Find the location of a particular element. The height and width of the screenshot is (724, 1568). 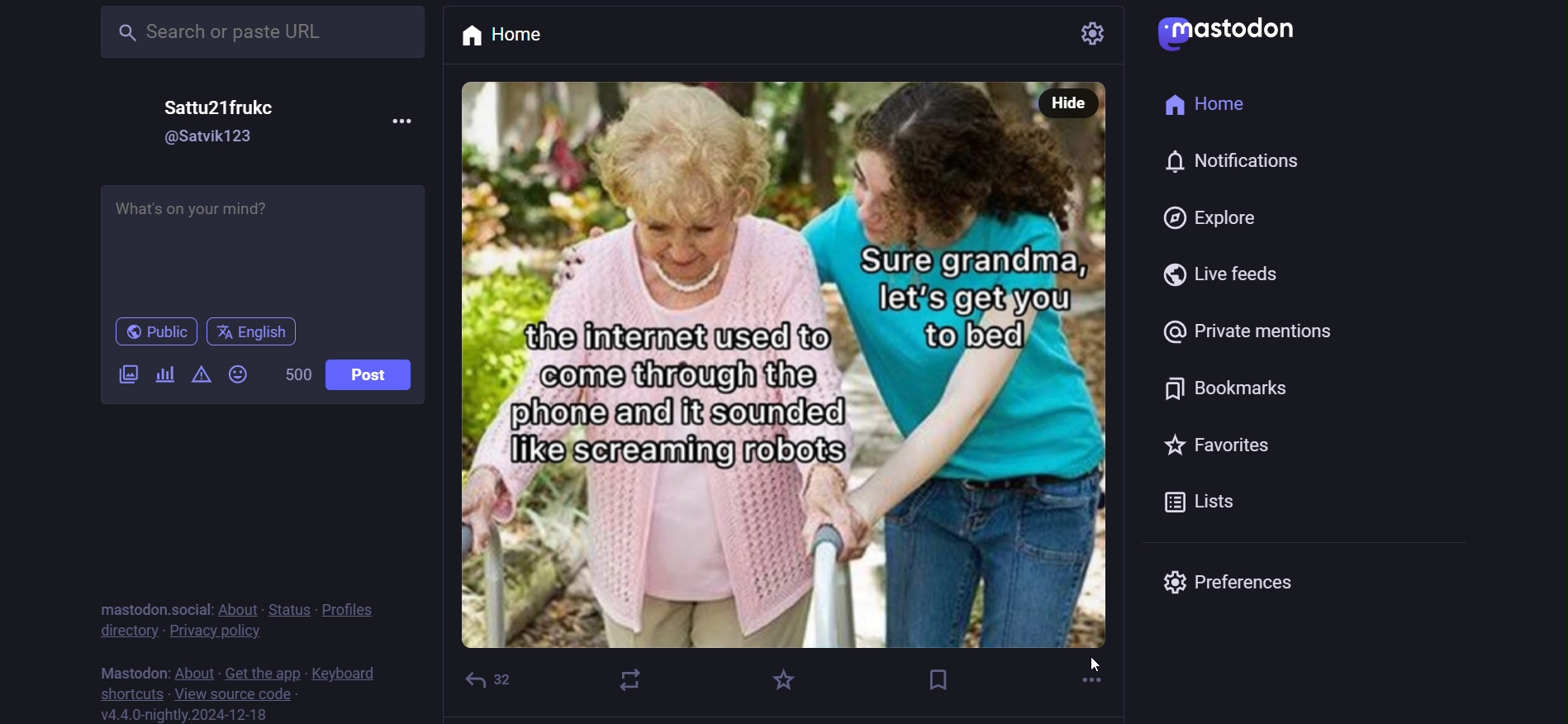

live feed is located at coordinates (1228, 273).